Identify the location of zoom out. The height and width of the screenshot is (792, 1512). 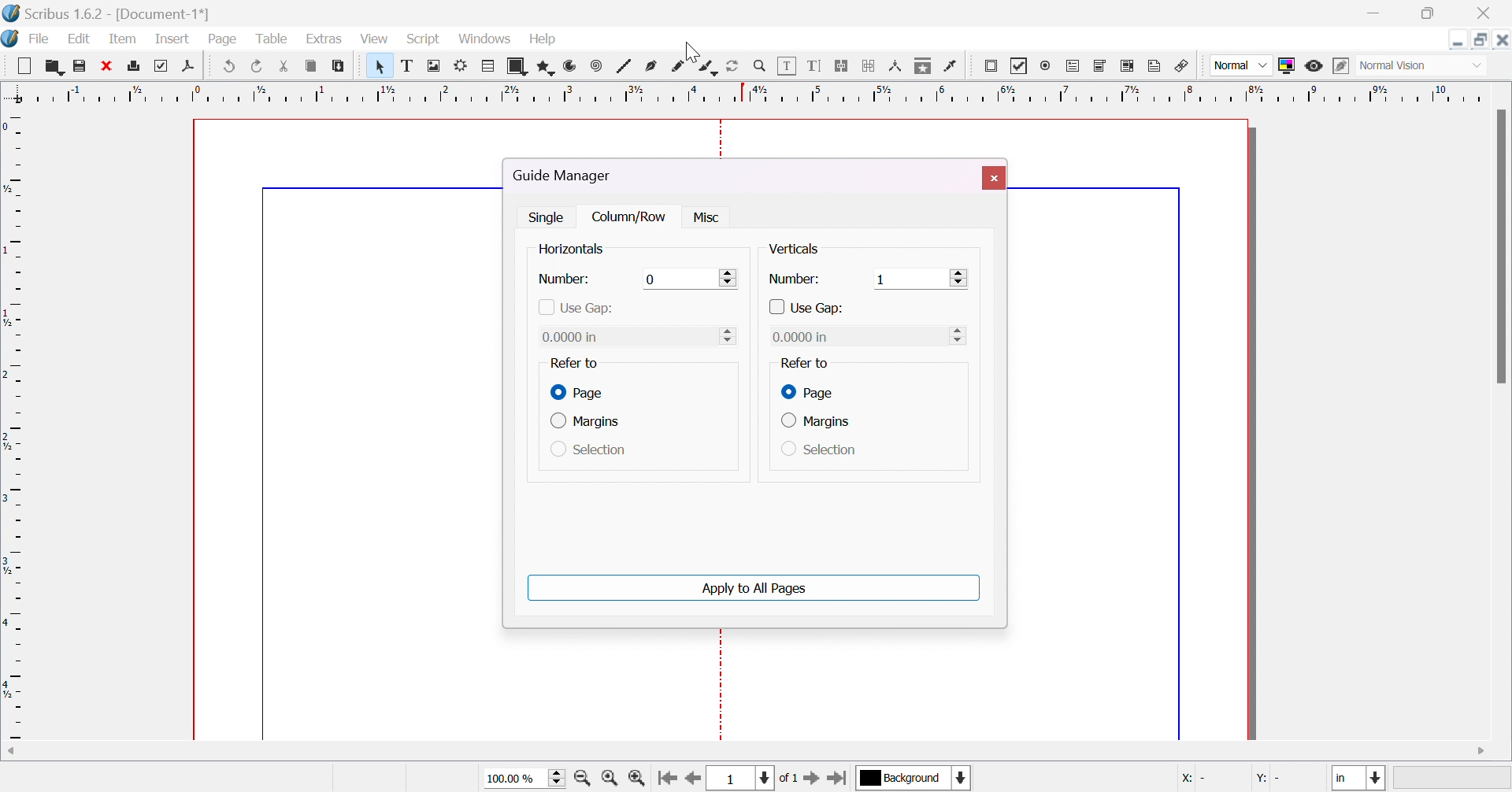
(585, 777).